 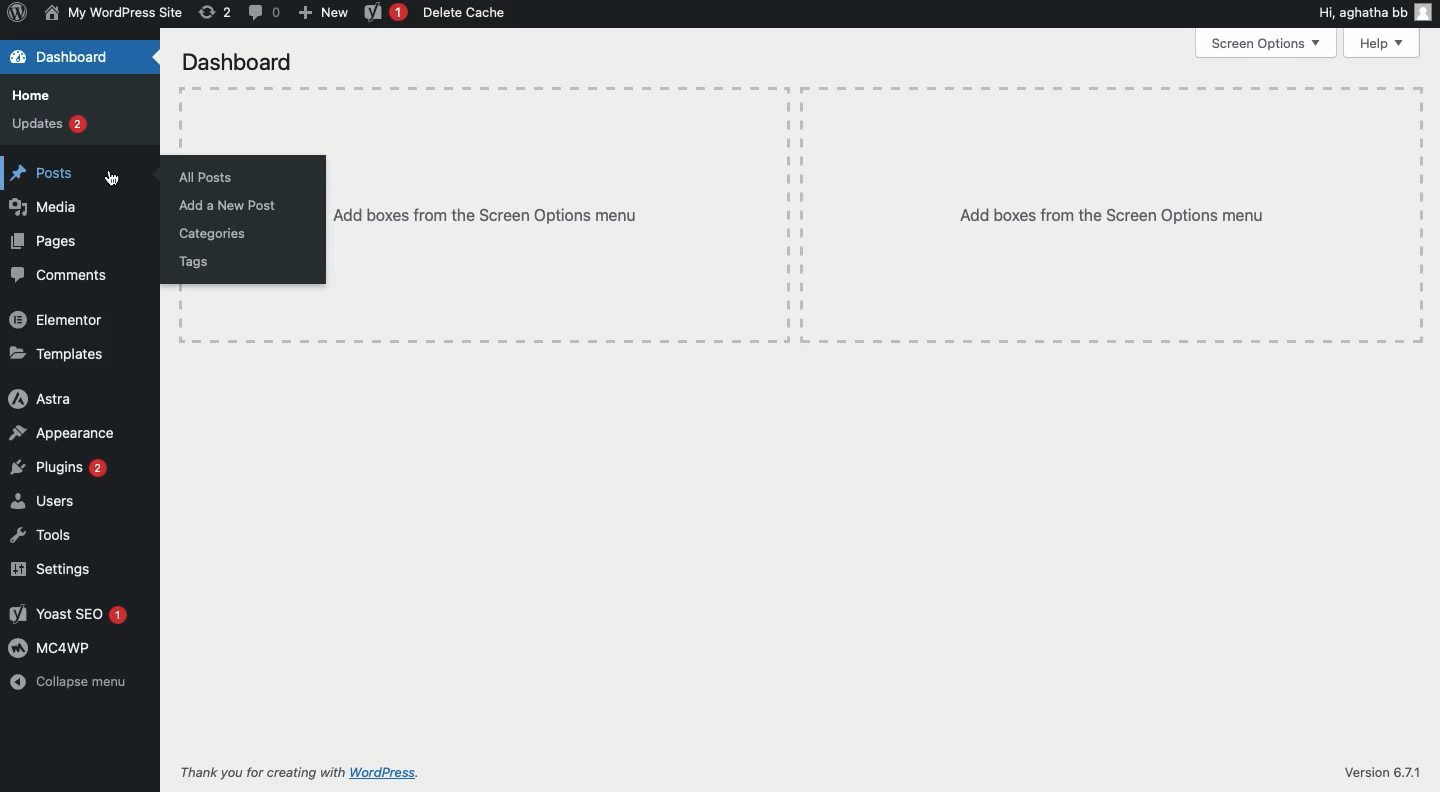 I want to click on Posts, so click(x=40, y=170).